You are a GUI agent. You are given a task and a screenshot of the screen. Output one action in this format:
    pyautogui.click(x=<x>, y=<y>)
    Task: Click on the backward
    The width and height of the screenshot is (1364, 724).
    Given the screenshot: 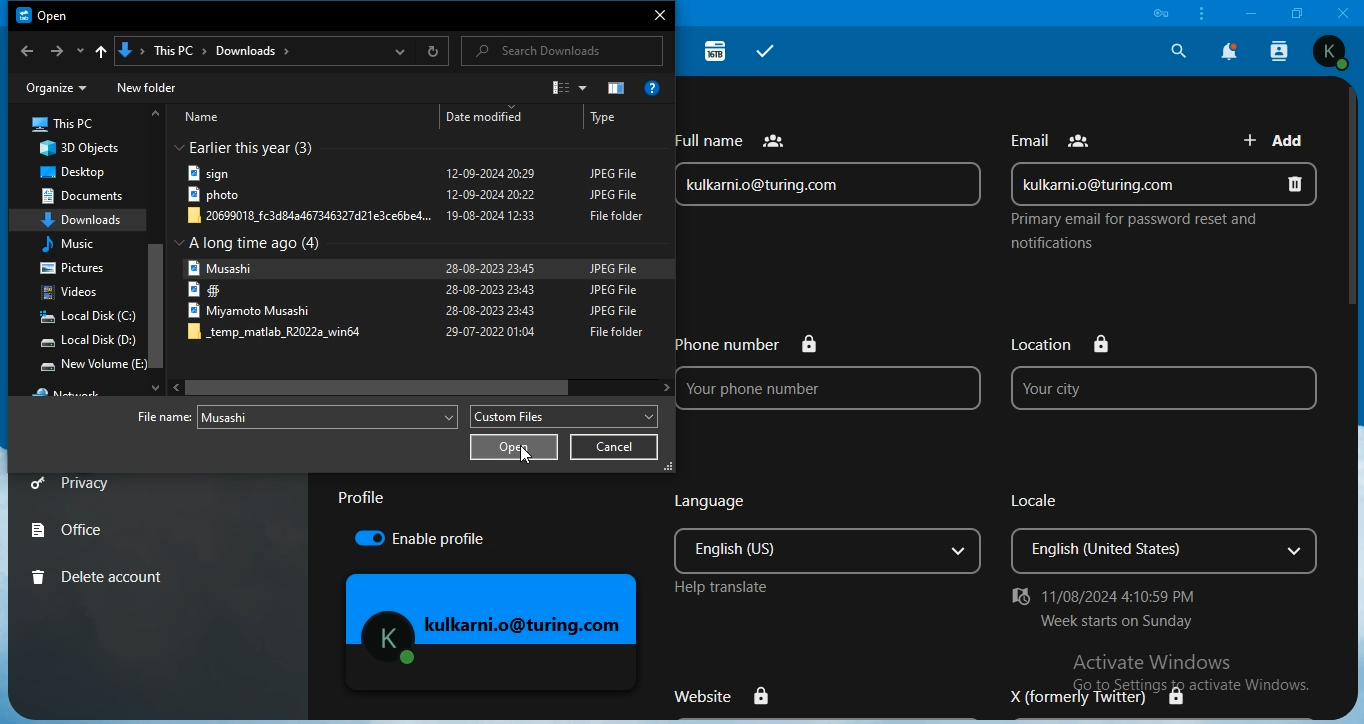 What is the action you would take?
    pyautogui.click(x=26, y=52)
    